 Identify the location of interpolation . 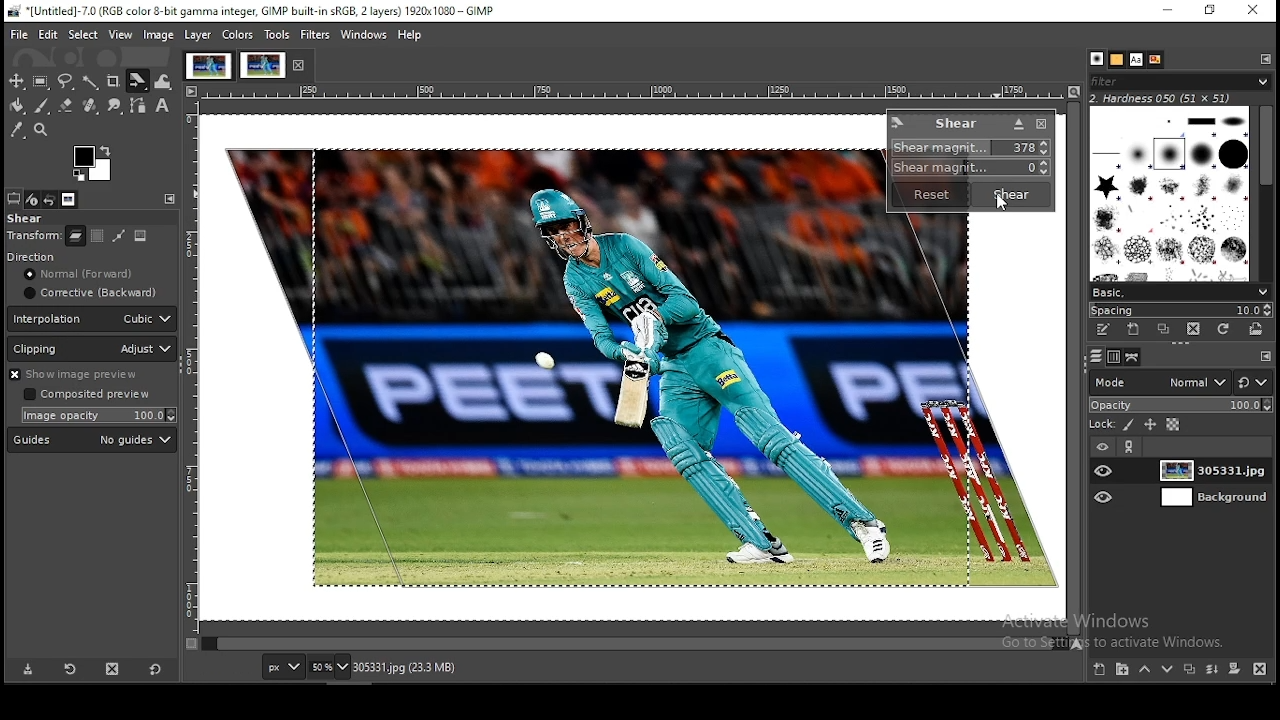
(92, 319).